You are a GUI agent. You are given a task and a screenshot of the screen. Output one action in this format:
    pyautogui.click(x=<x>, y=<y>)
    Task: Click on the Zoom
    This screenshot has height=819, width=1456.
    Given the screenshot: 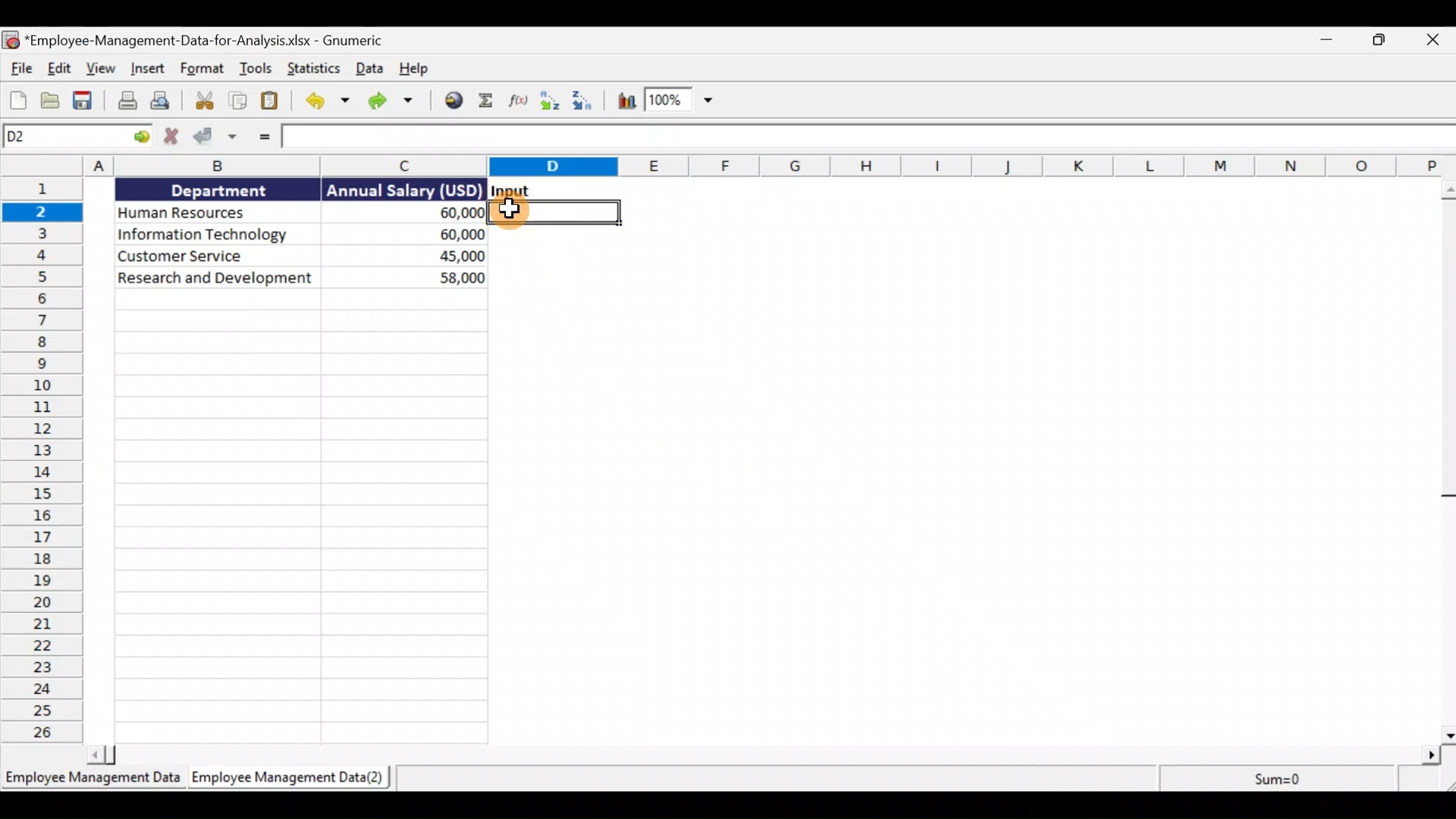 What is the action you would take?
    pyautogui.click(x=684, y=104)
    